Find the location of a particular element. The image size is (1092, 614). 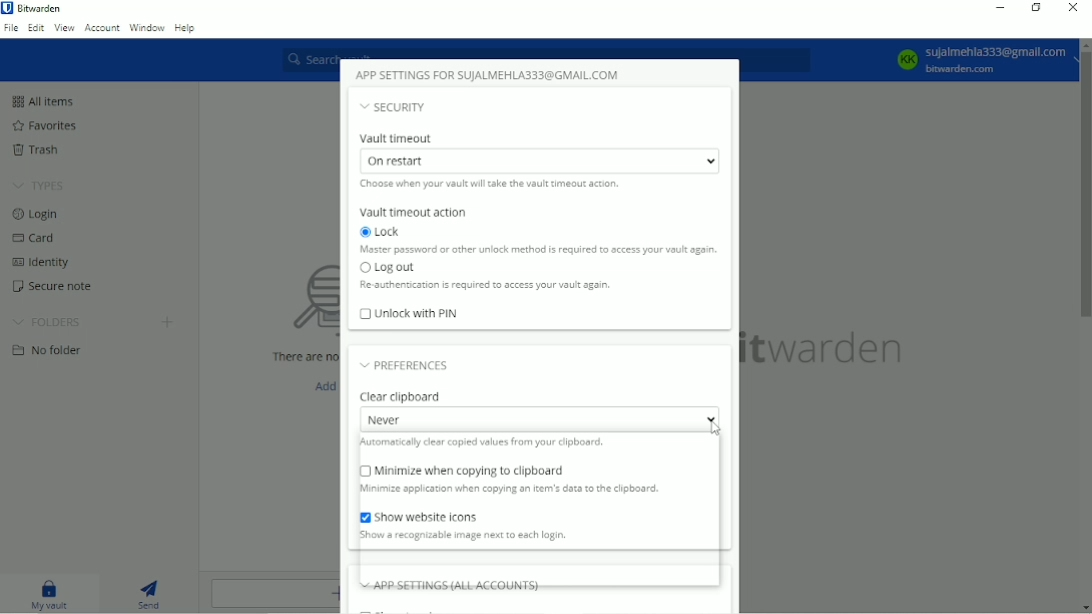

View is located at coordinates (65, 27).